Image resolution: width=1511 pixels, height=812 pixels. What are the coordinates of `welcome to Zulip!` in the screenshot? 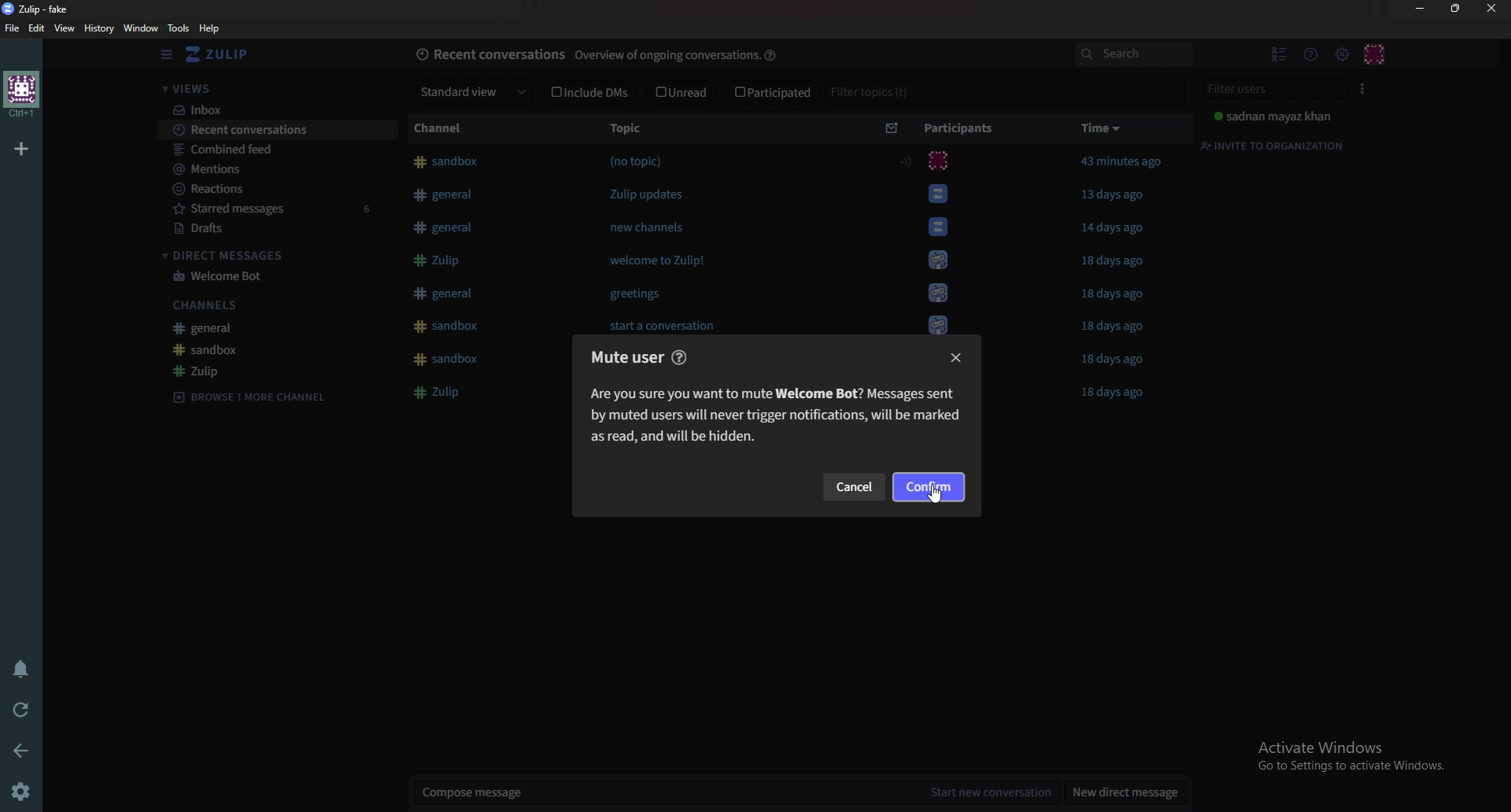 It's located at (667, 264).